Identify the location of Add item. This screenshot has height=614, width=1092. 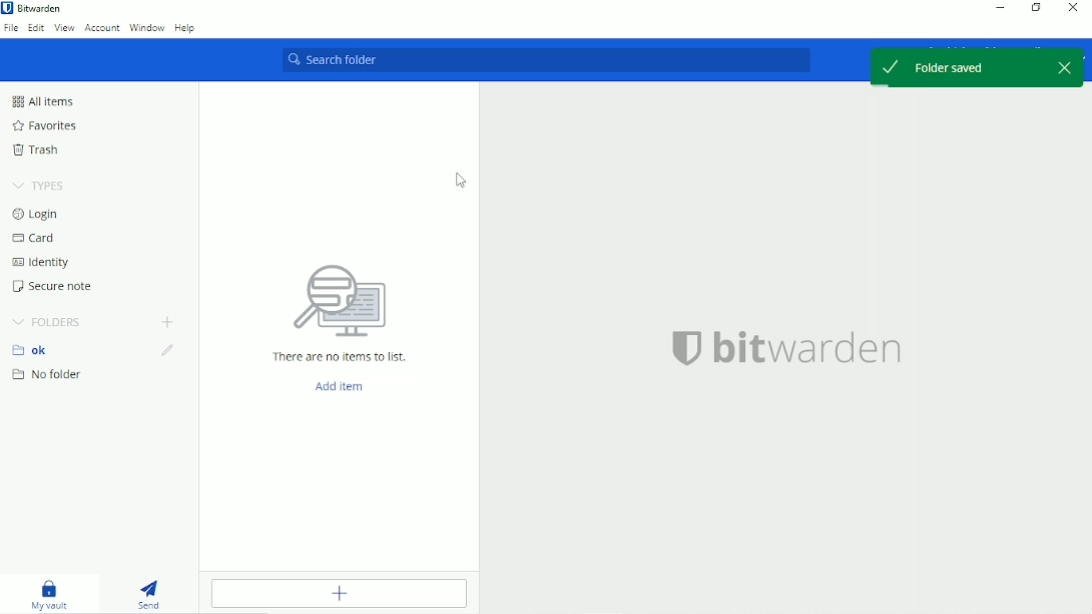
(338, 594).